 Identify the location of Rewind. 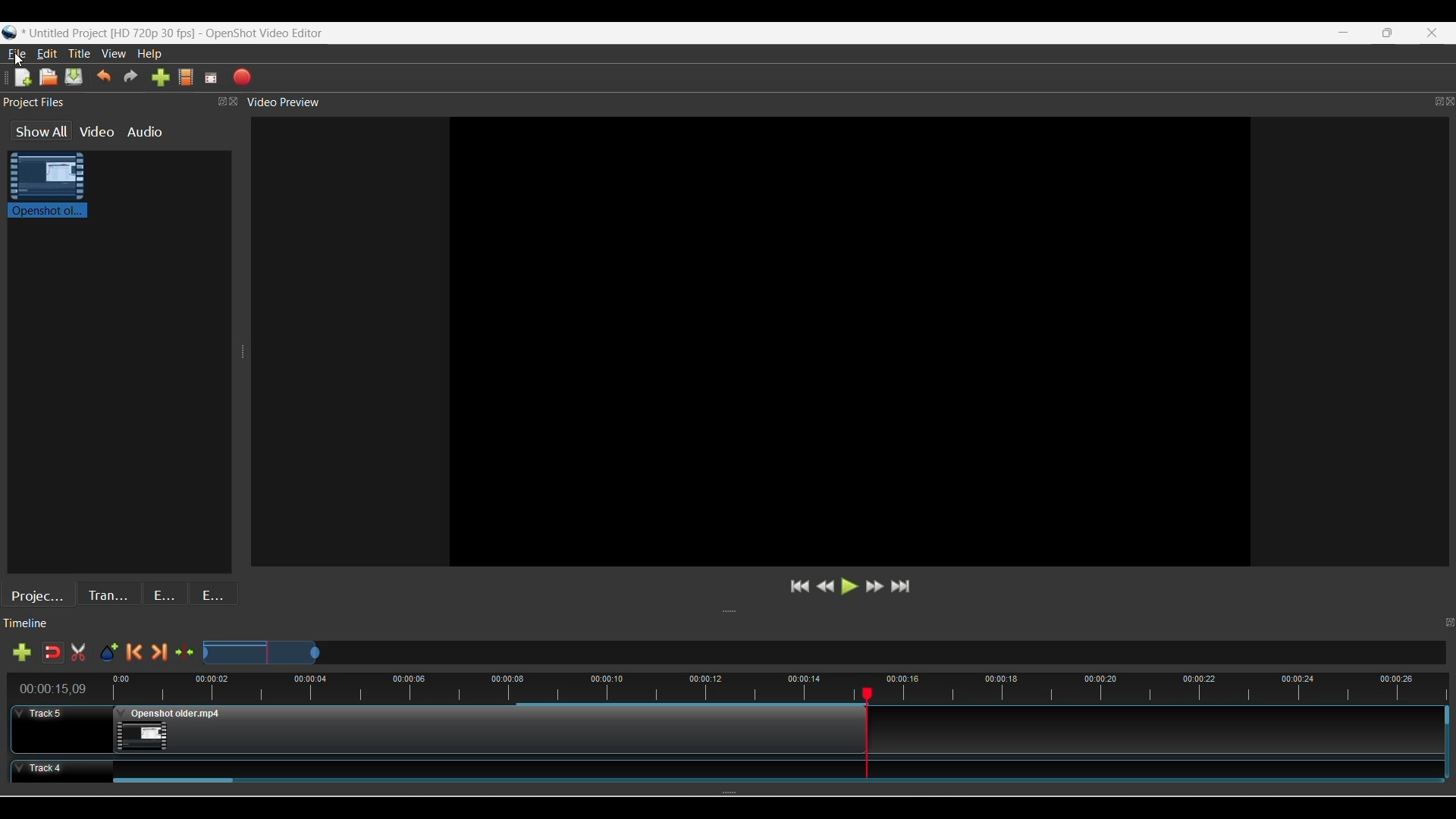
(826, 586).